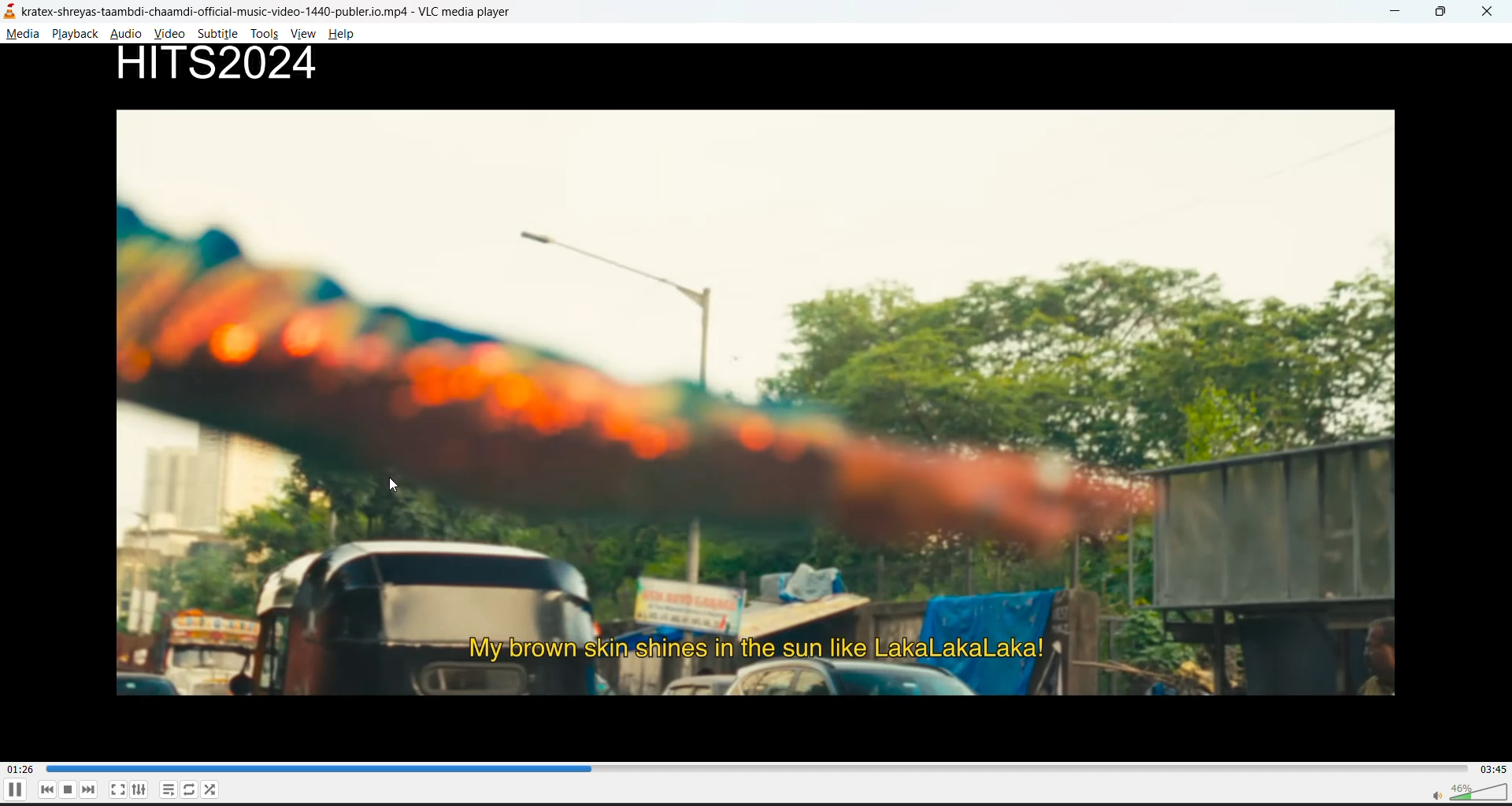 This screenshot has height=806, width=1512. I want to click on playlist, so click(165, 790).